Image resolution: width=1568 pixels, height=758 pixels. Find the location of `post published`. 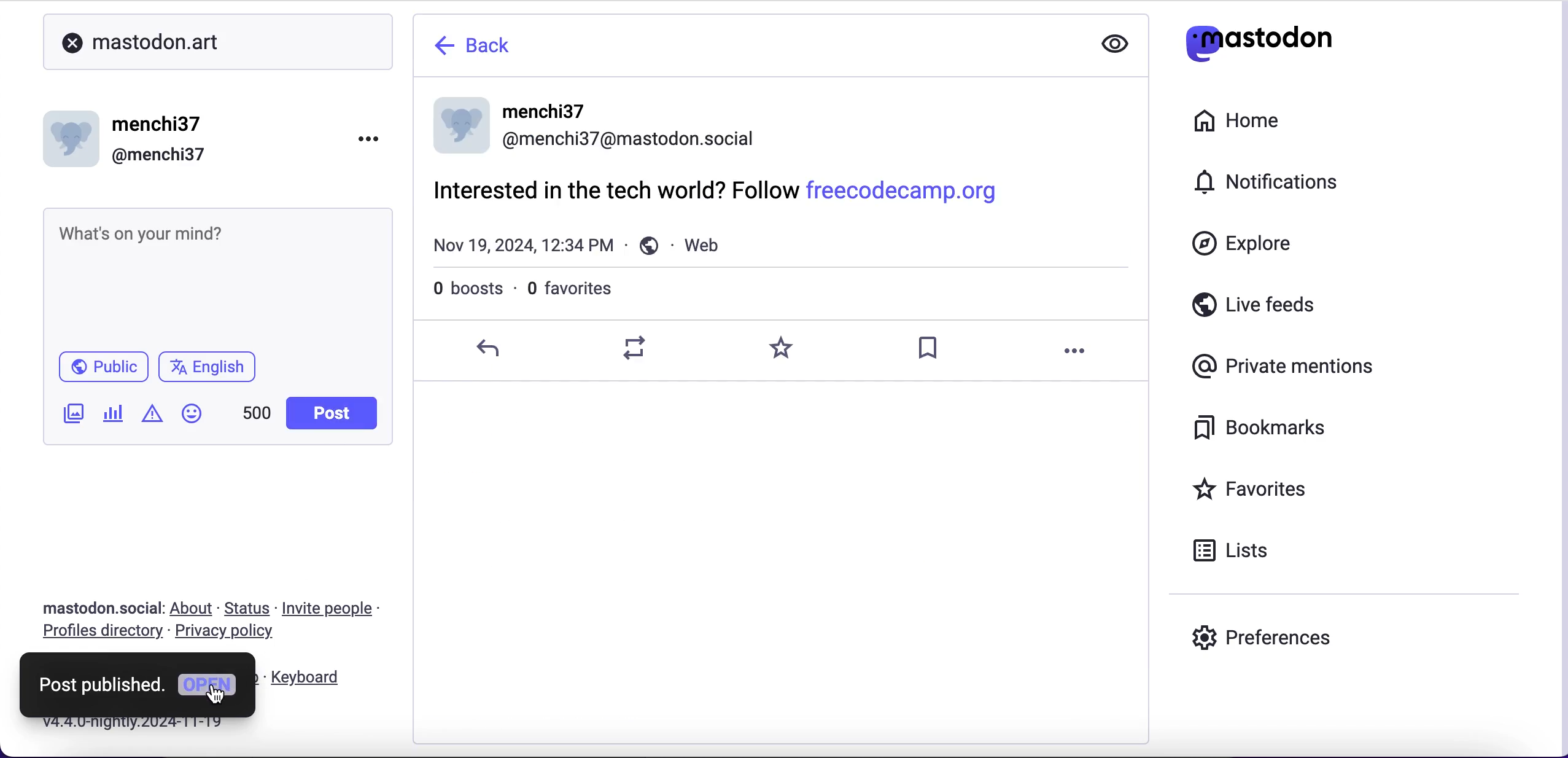

post published is located at coordinates (787, 219).